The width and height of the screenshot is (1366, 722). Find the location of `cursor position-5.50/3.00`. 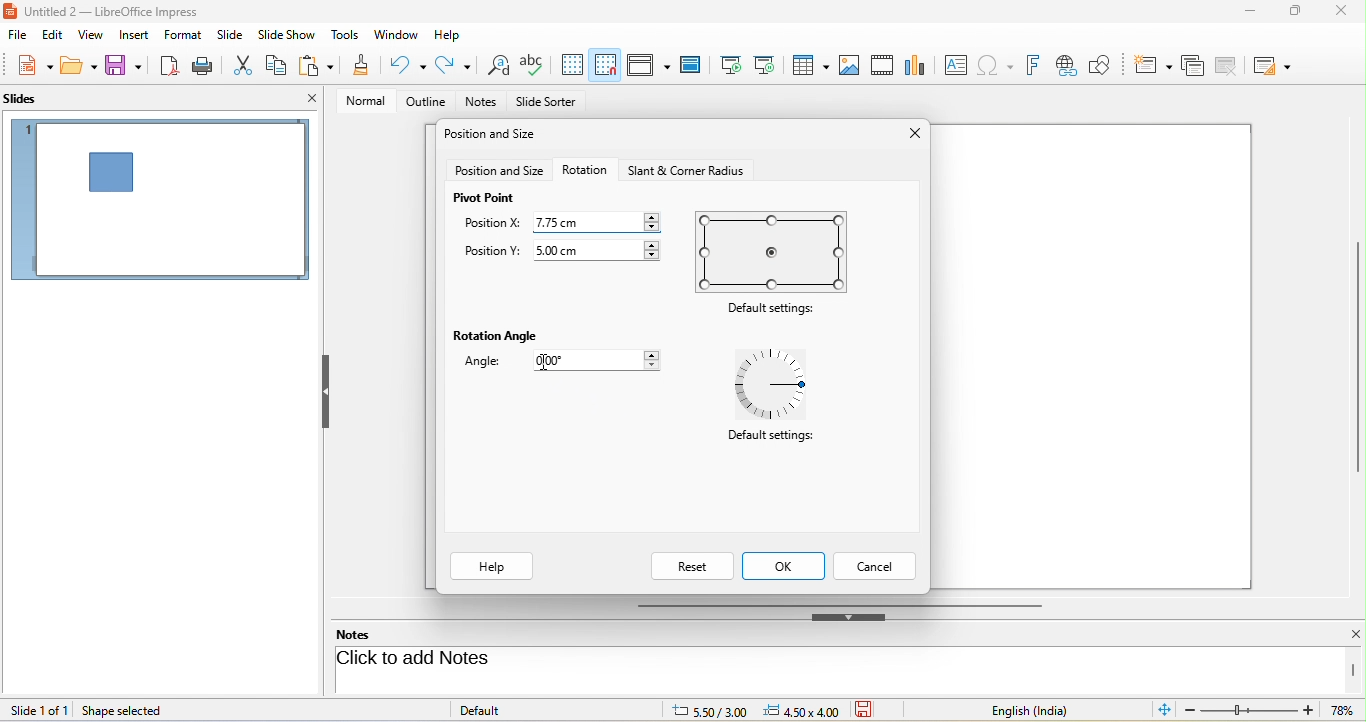

cursor position-5.50/3.00 is located at coordinates (698, 709).